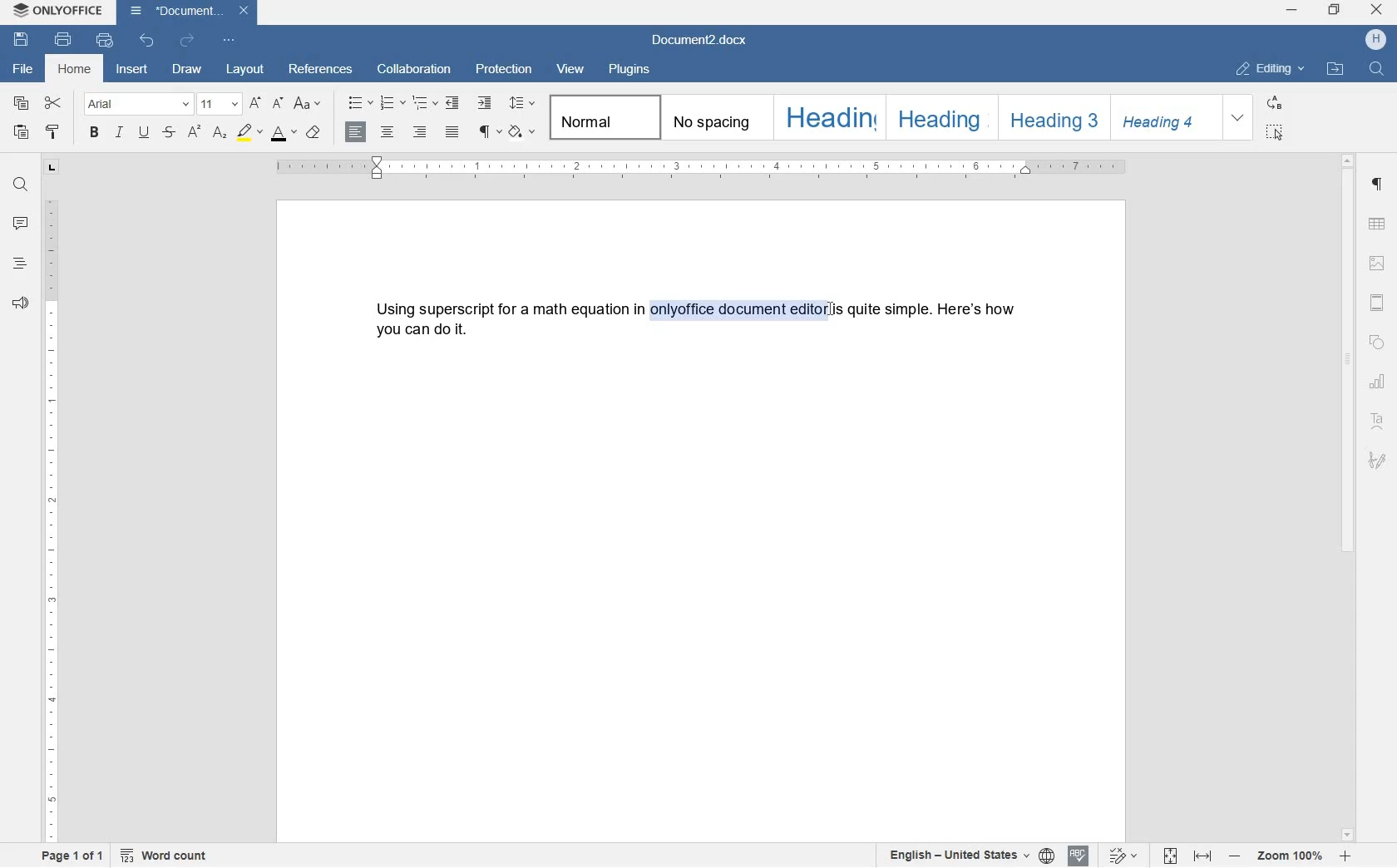 Image resolution: width=1397 pixels, height=868 pixels. I want to click on chart, so click(1379, 382).